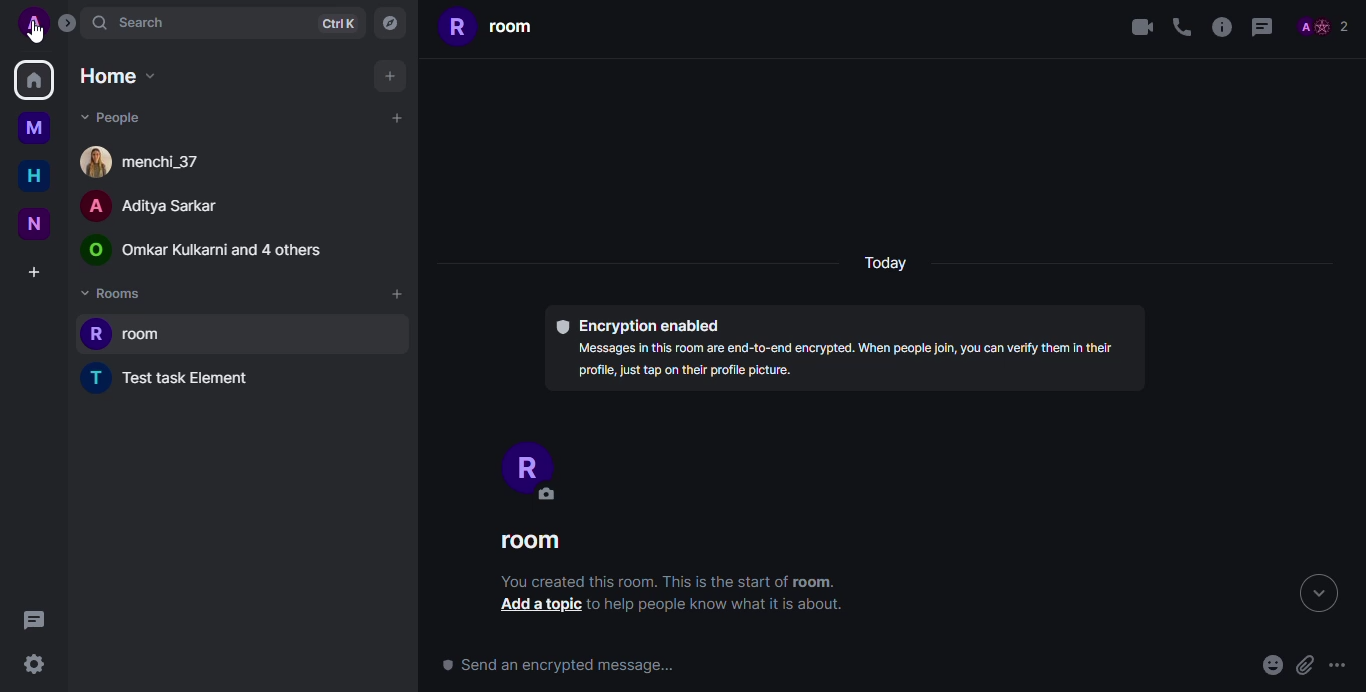 This screenshot has height=692, width=1366. What do you see at coordinates (145, 162) in the screenshot?
I see `munch_37 room` at bounding box center [145, 162].